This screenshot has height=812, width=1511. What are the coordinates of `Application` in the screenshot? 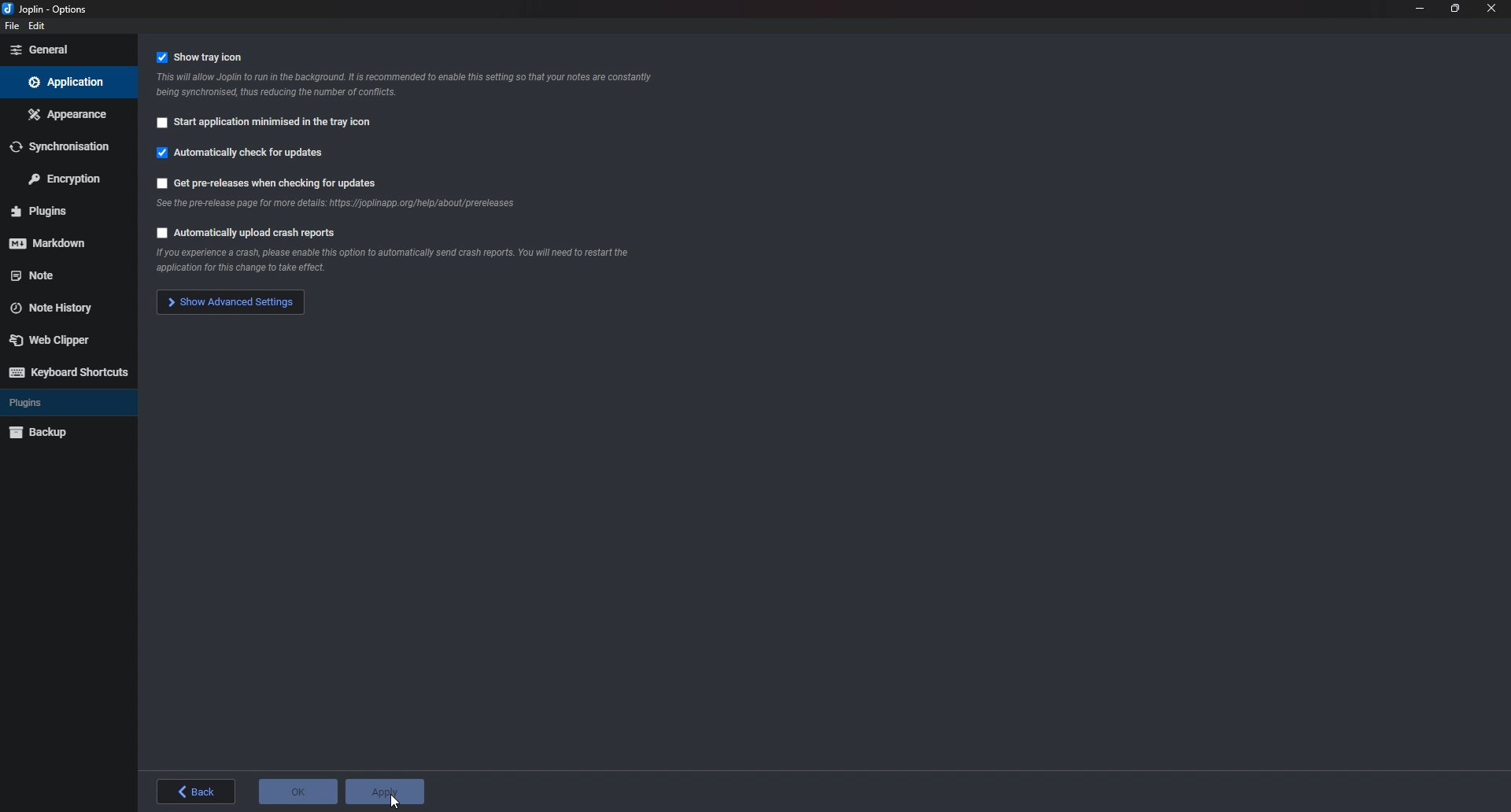 It's located at (68, 82).